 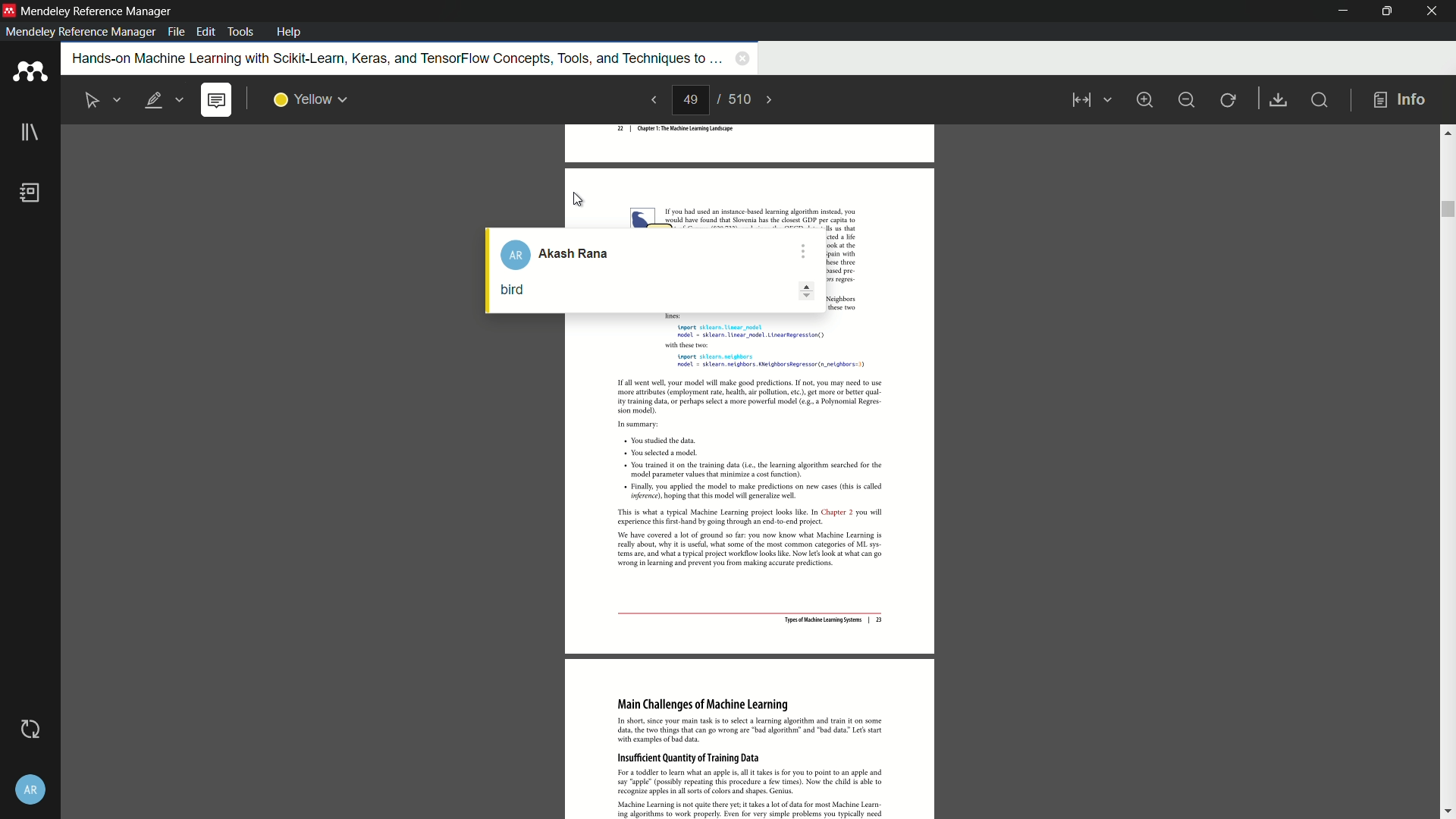 I want to click on highlight text, so click(x=165, y=100).